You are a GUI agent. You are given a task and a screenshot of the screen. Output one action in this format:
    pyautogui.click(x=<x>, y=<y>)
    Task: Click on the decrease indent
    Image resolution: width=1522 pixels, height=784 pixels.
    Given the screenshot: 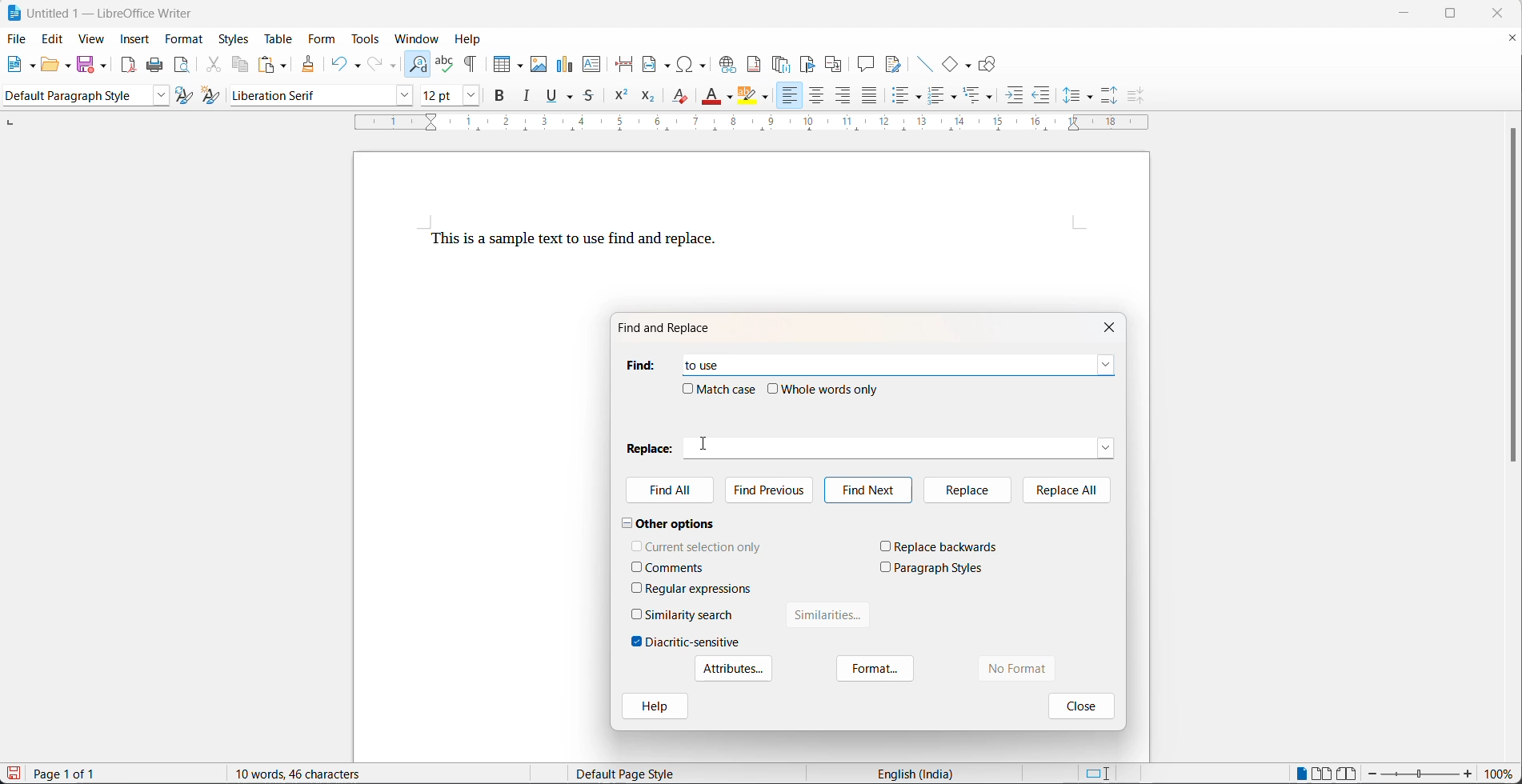 What is the action you would take?
    pyautogui.click(x=1042, y=98)
    